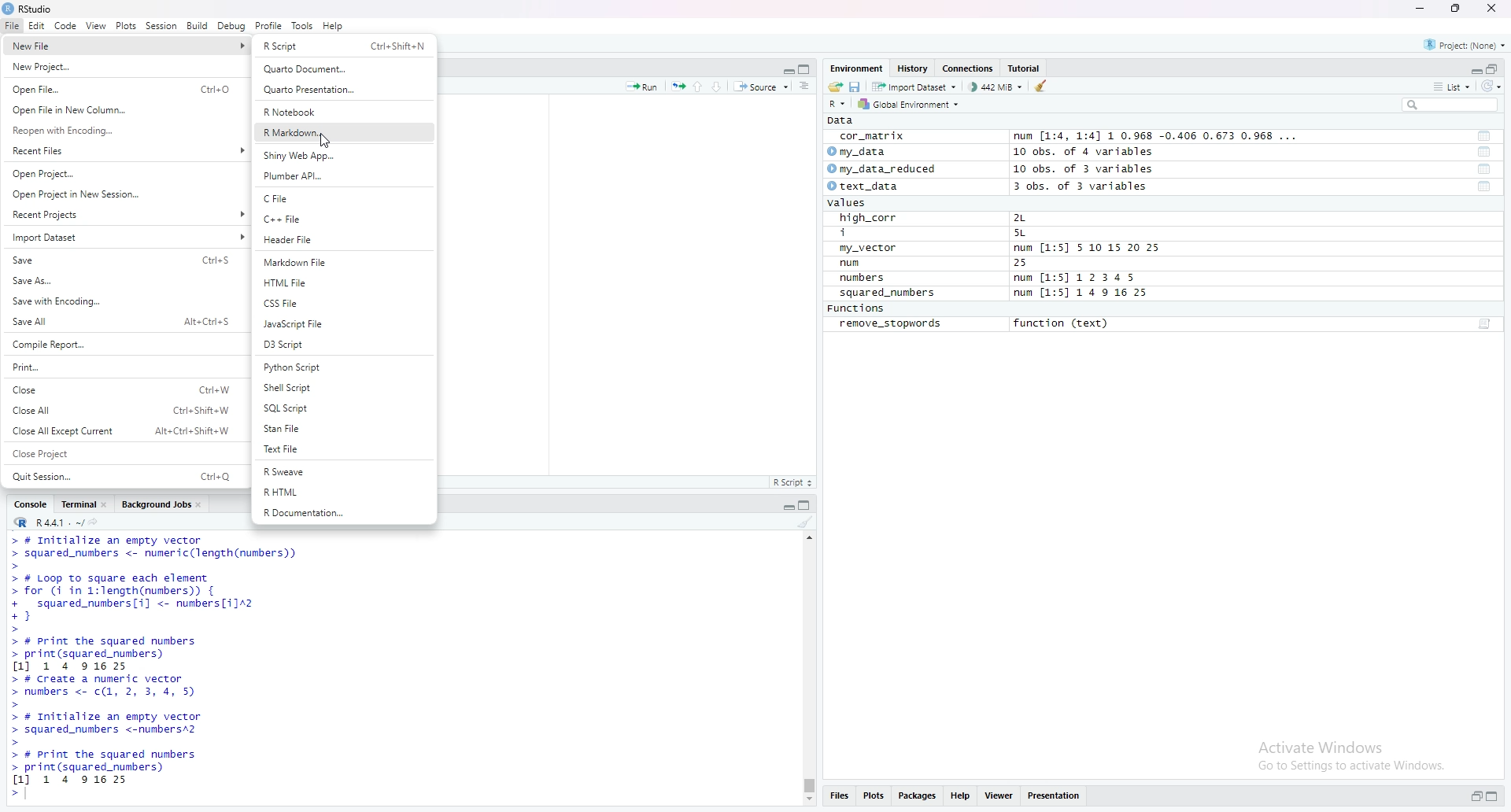 The image size is (1511, 812). I want to click on Maximize, so click(1457, 8).